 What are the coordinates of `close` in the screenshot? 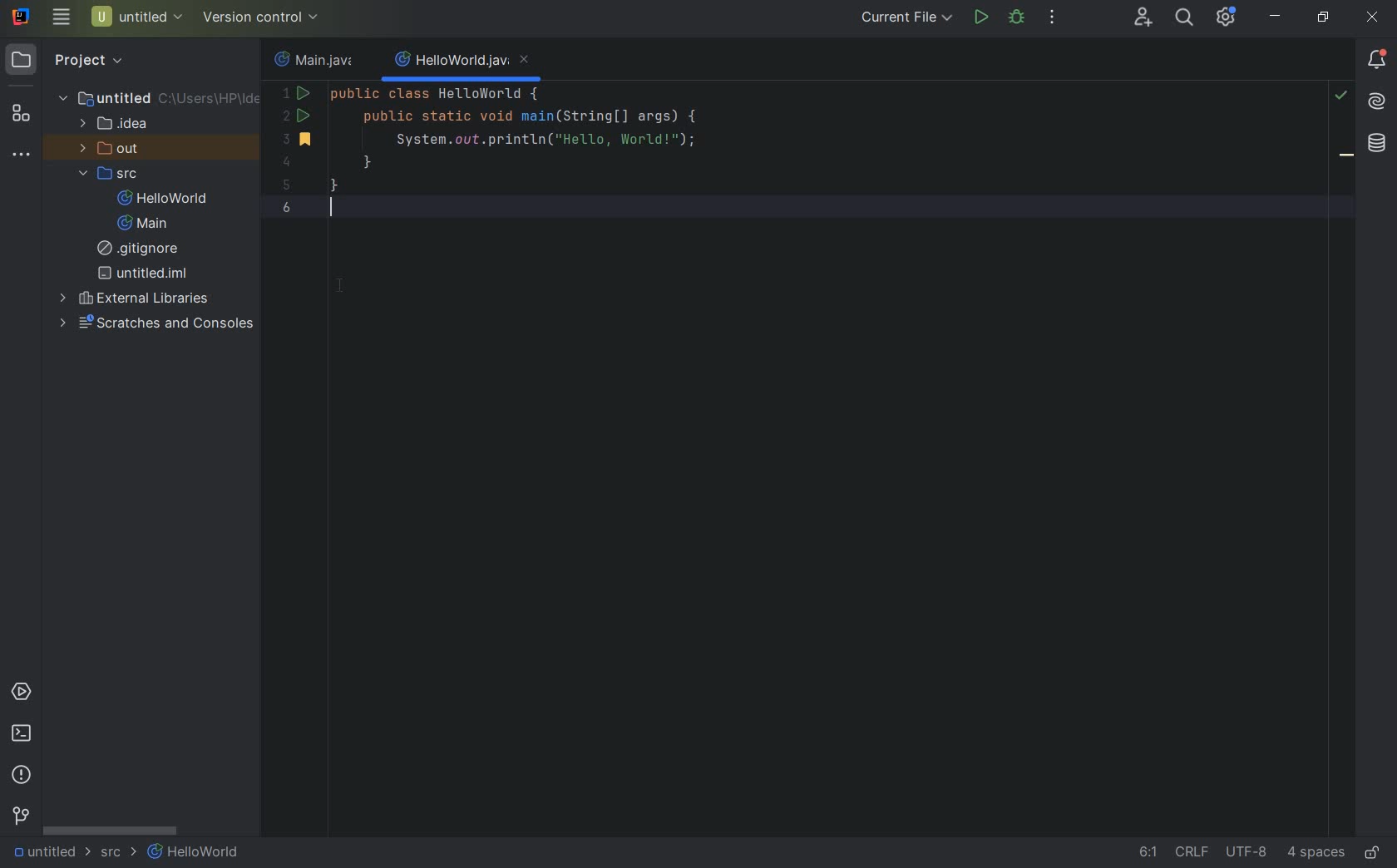 It's located at (1374, 21).